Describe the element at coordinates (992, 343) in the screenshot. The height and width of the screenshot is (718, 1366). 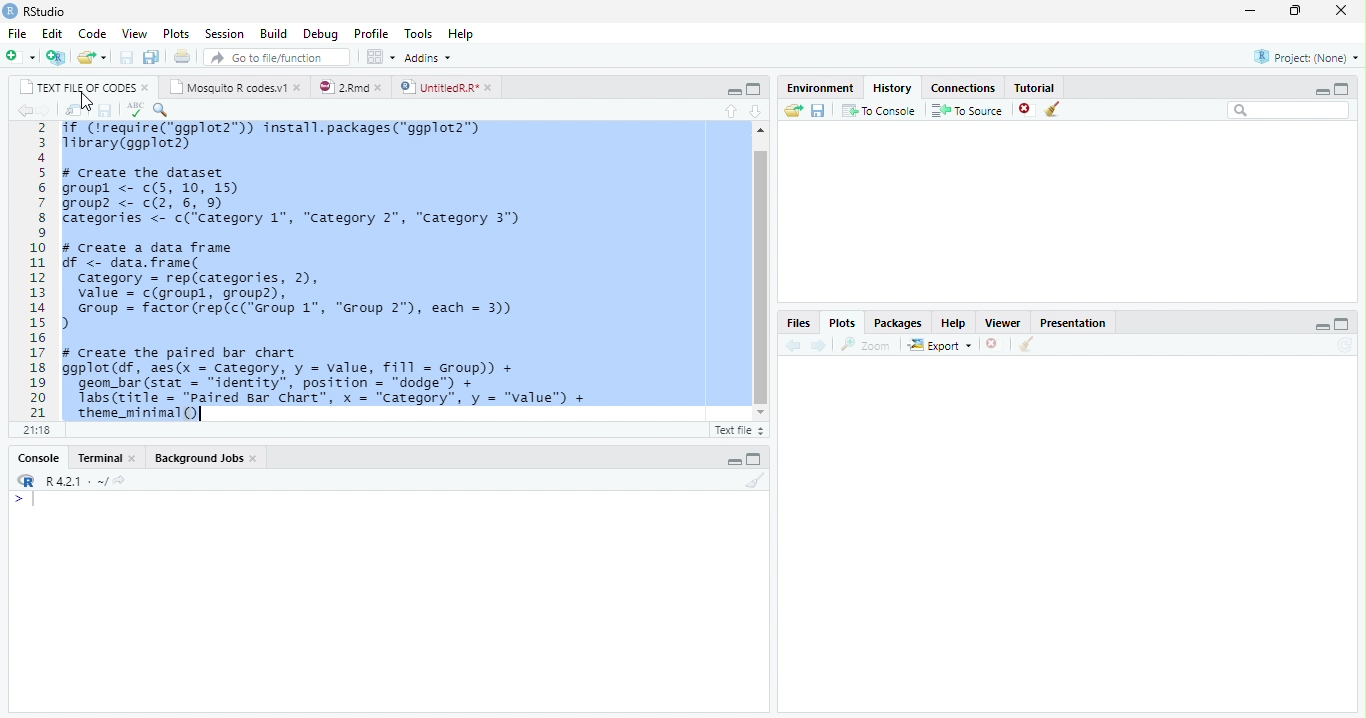
I see `close` at that location.